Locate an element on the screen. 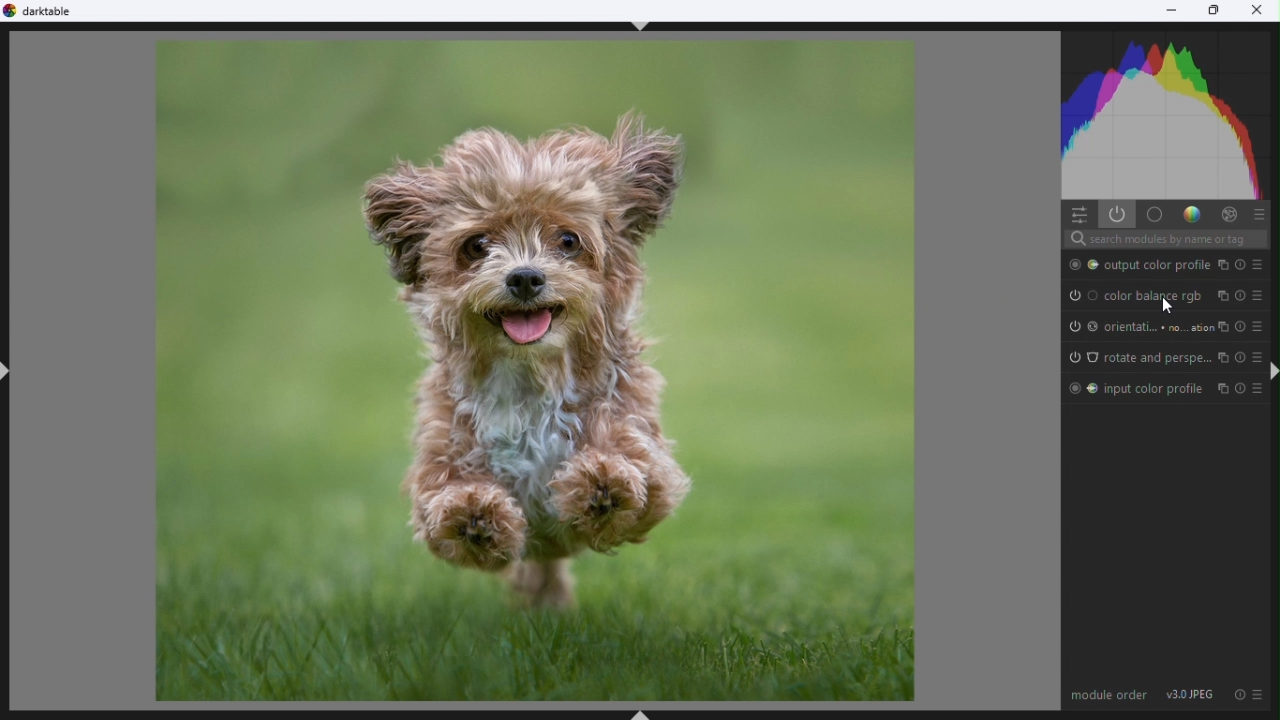  preset is located at coordinates (1263, 696).